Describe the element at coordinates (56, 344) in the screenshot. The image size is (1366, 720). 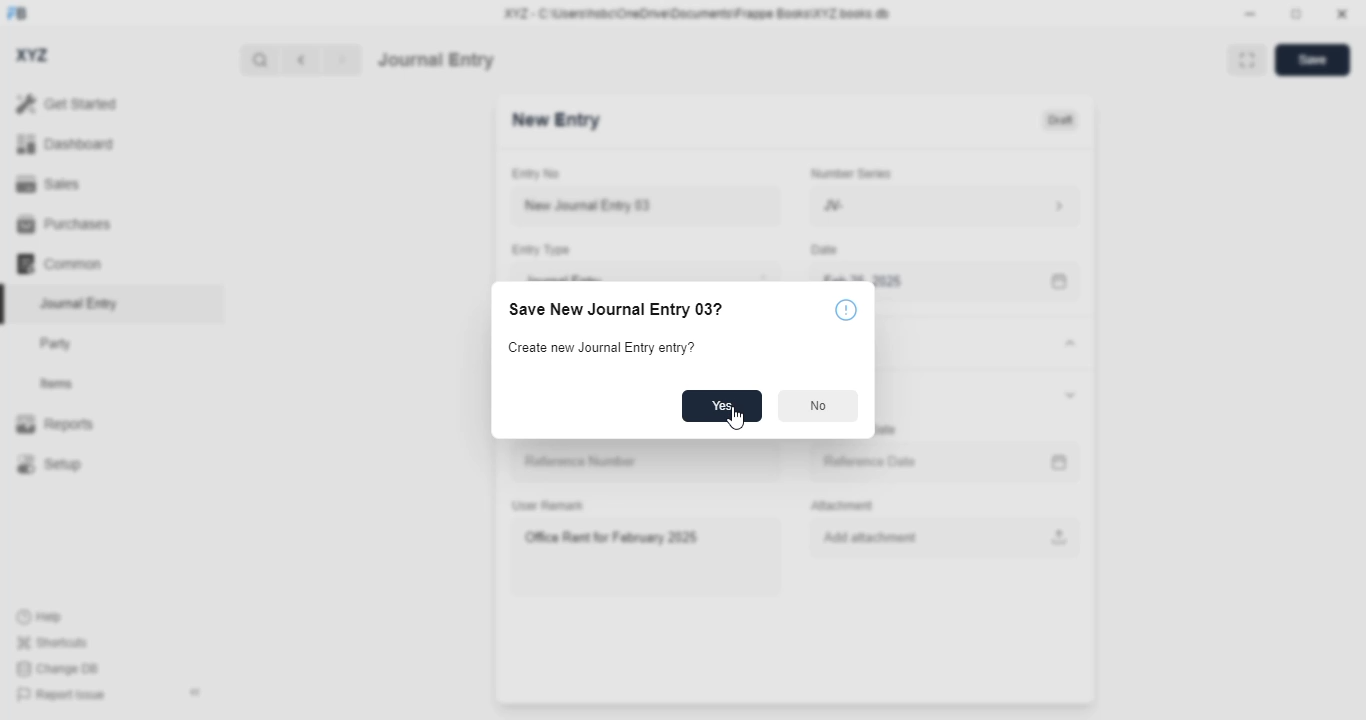
I see `party` at that location.